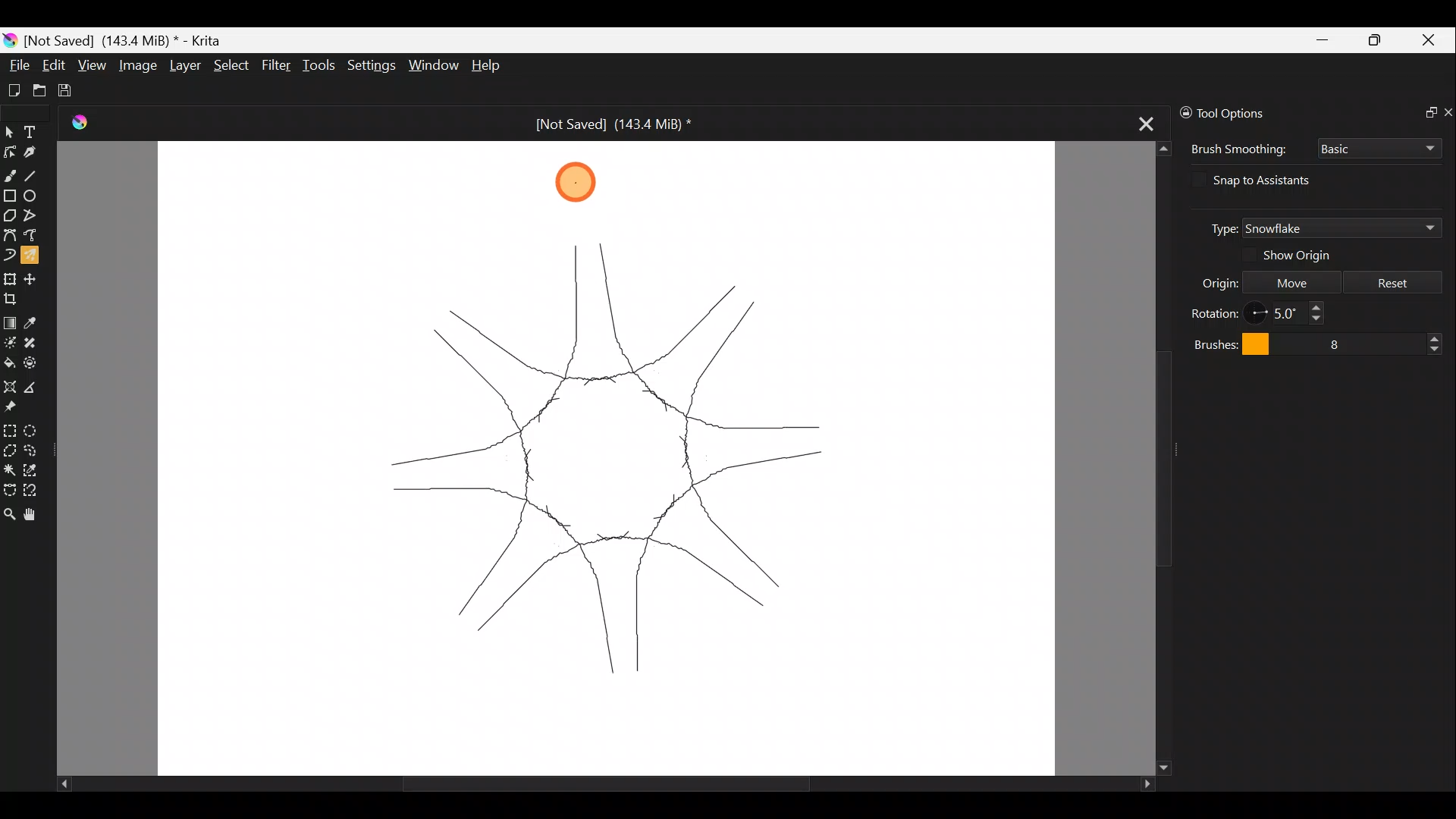 This screenshot has width=1456, height=819. What do you see at coordinates (9, 362) in the screenshot?
I see `Fill a contiguous area of color with color` at bounding box center [9, 362].